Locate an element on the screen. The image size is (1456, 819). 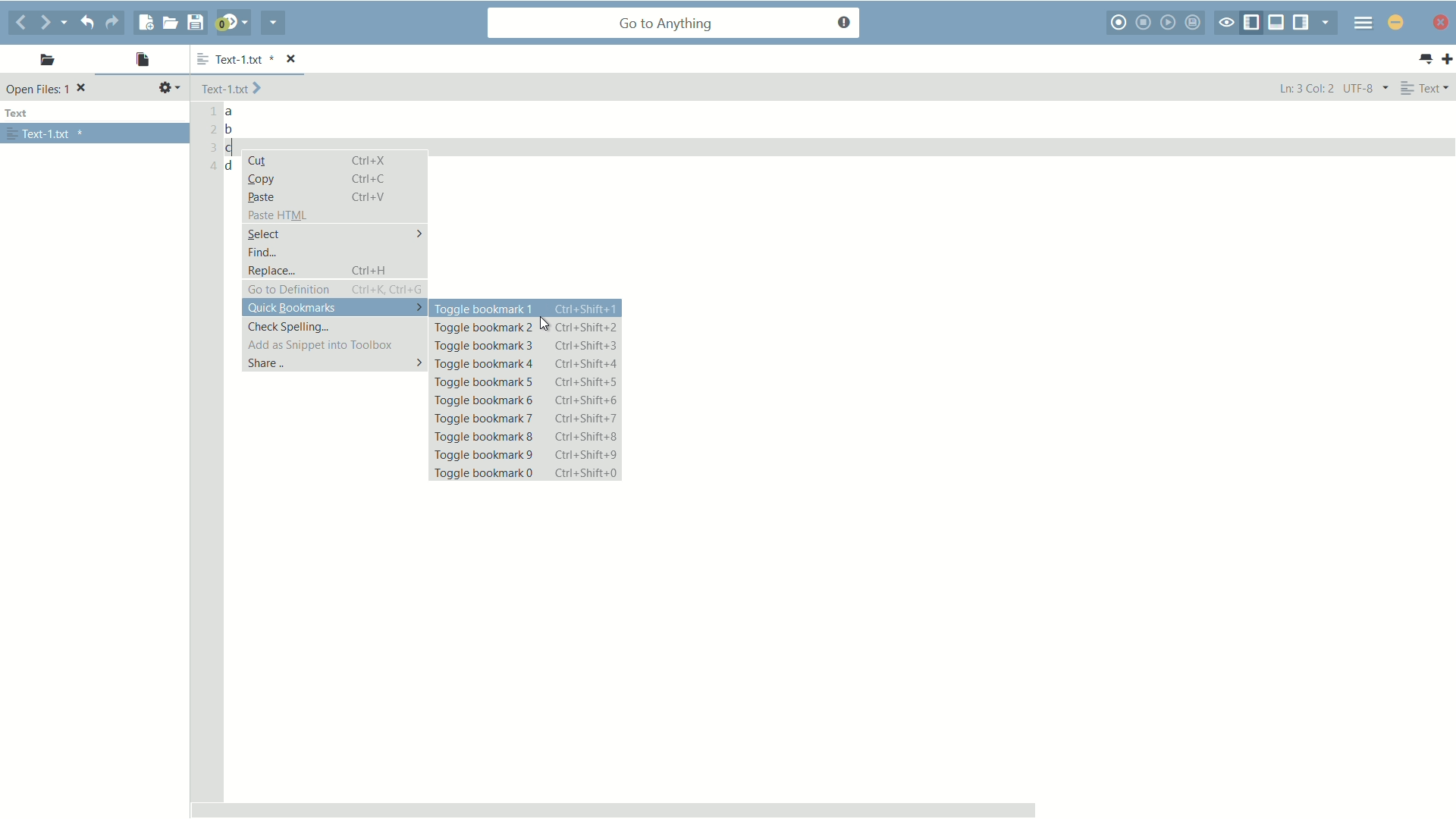
paste ctrl+V is located at coordinates (315, 196).